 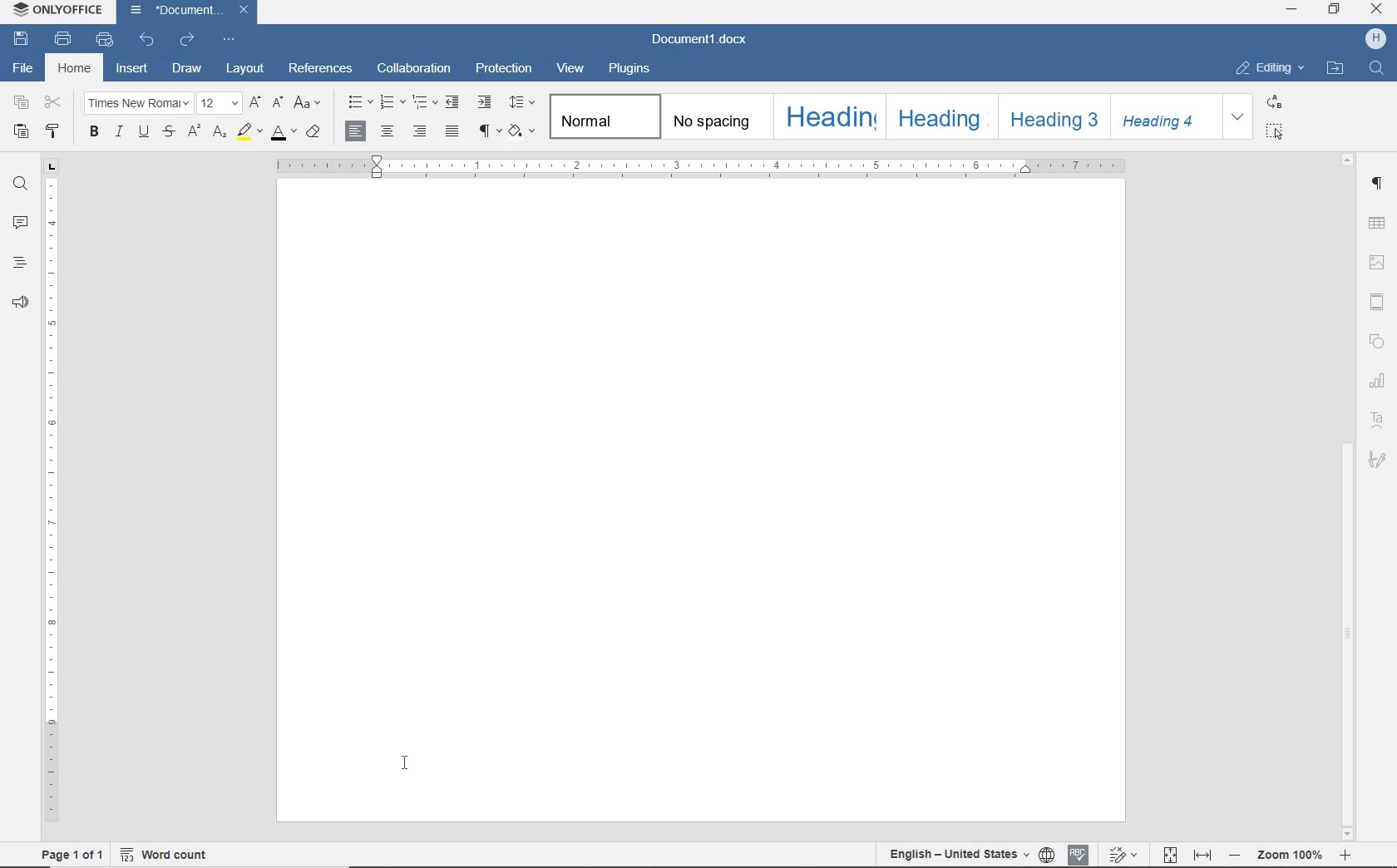 I want to click on scrollbar, so click(x=1348, y=496).